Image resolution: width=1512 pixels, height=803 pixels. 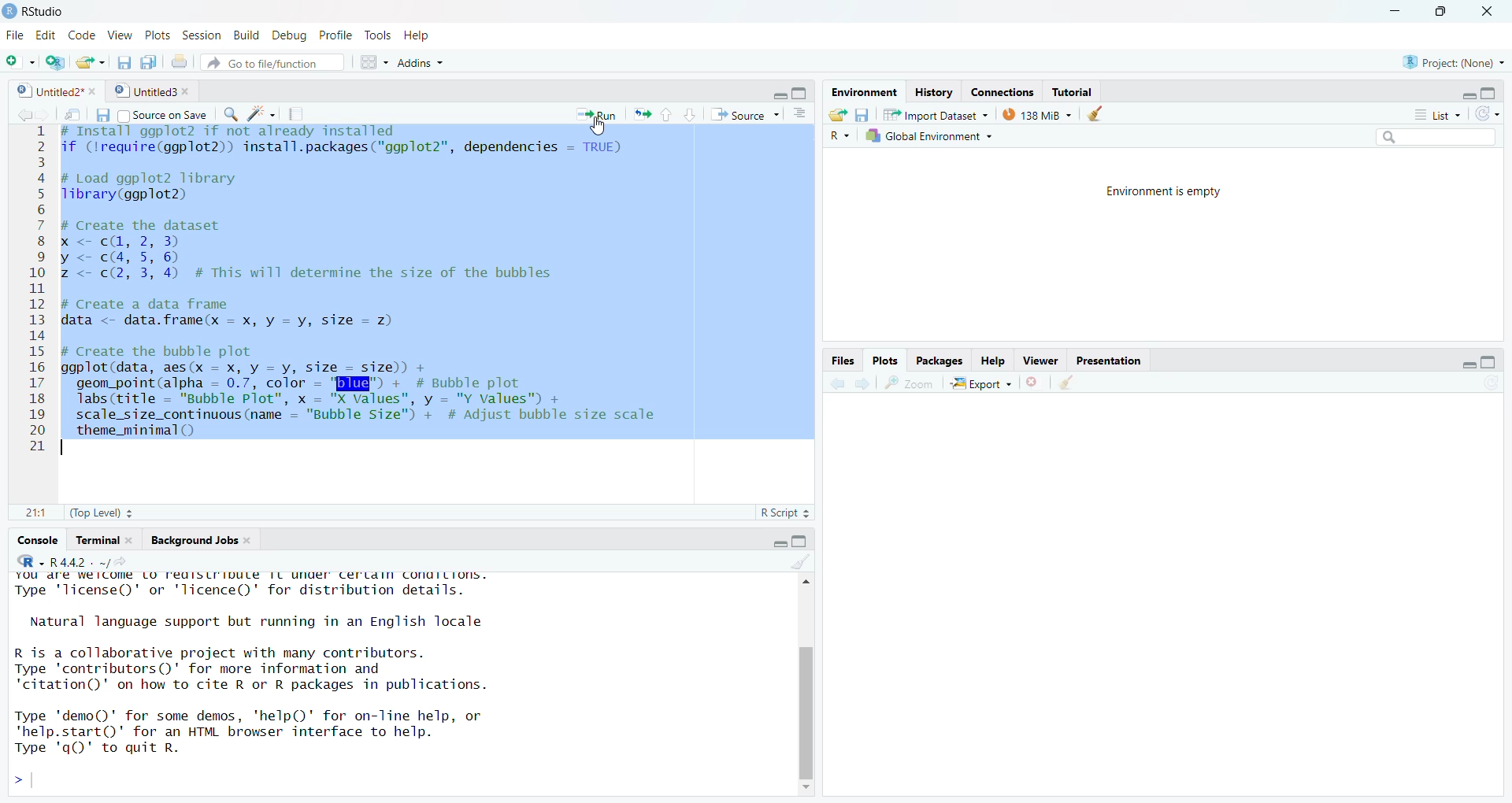 What do you see at coordinates (1099, 113) in the screenshot?
I see `clear objects` at bounding box center [1099, 113].